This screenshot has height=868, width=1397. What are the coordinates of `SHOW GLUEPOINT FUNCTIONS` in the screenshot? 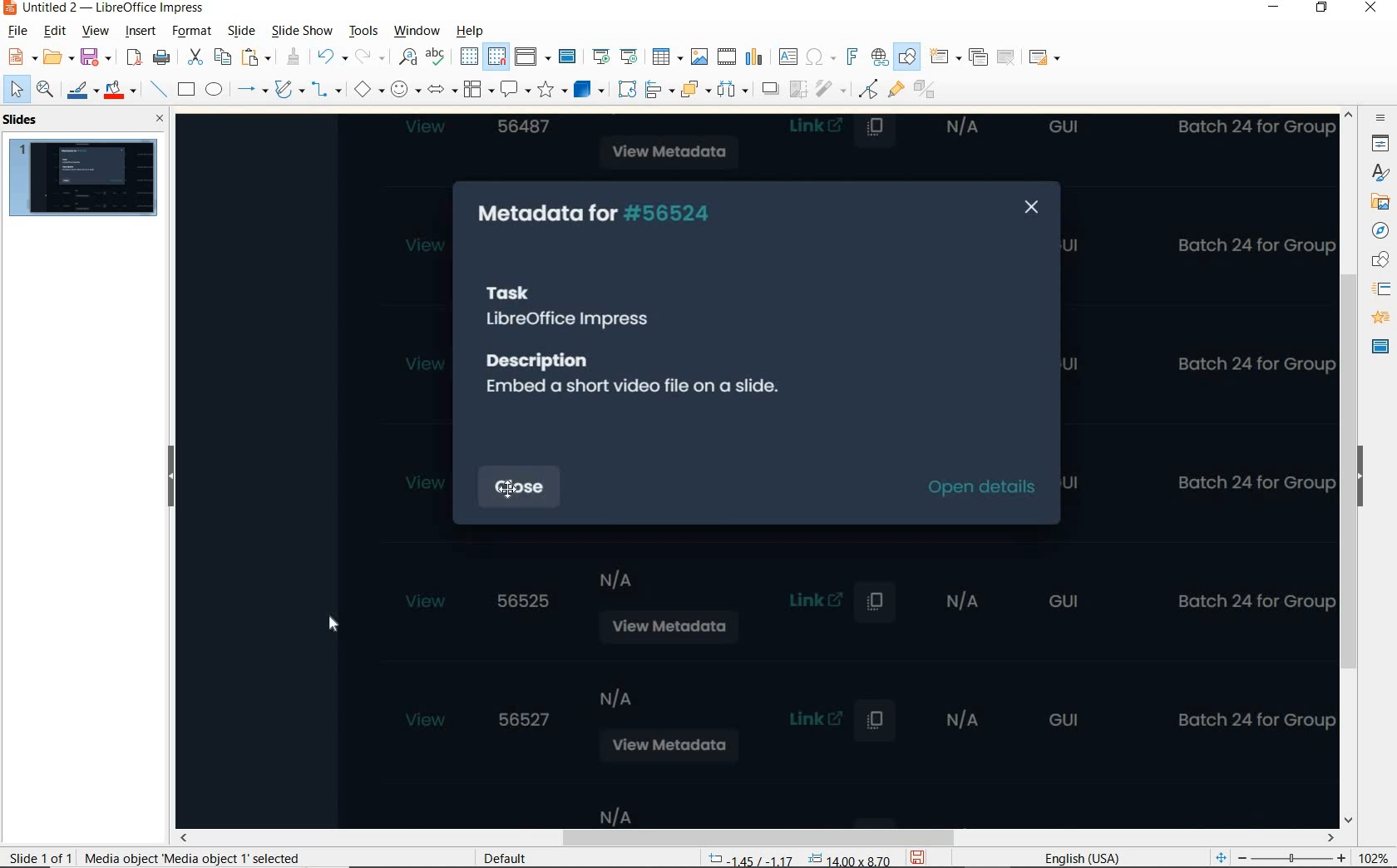 It's located at (895, 91).